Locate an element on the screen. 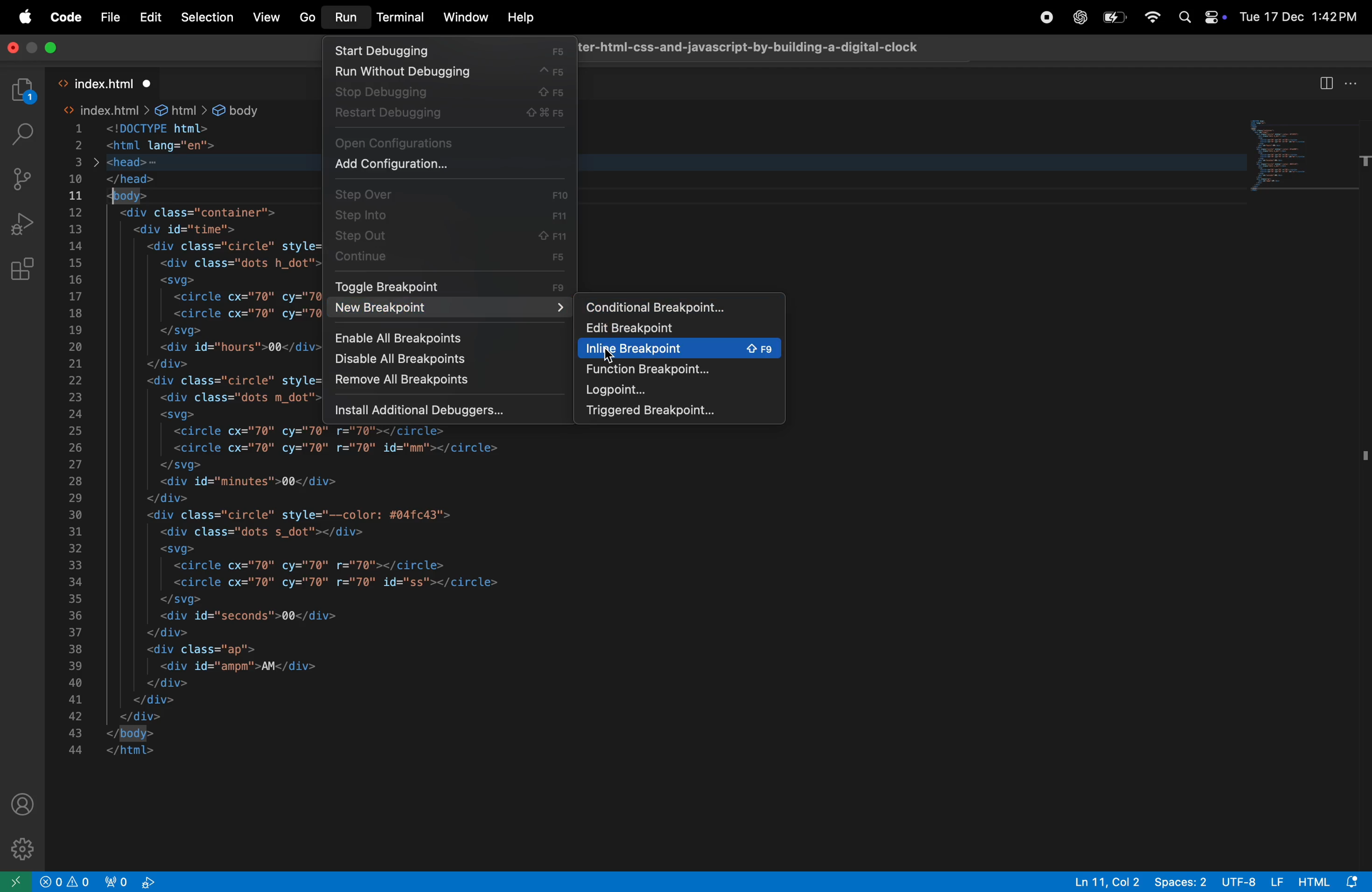 This screenshot has width=1372, height=892. View is located at coordinates (265, 18).